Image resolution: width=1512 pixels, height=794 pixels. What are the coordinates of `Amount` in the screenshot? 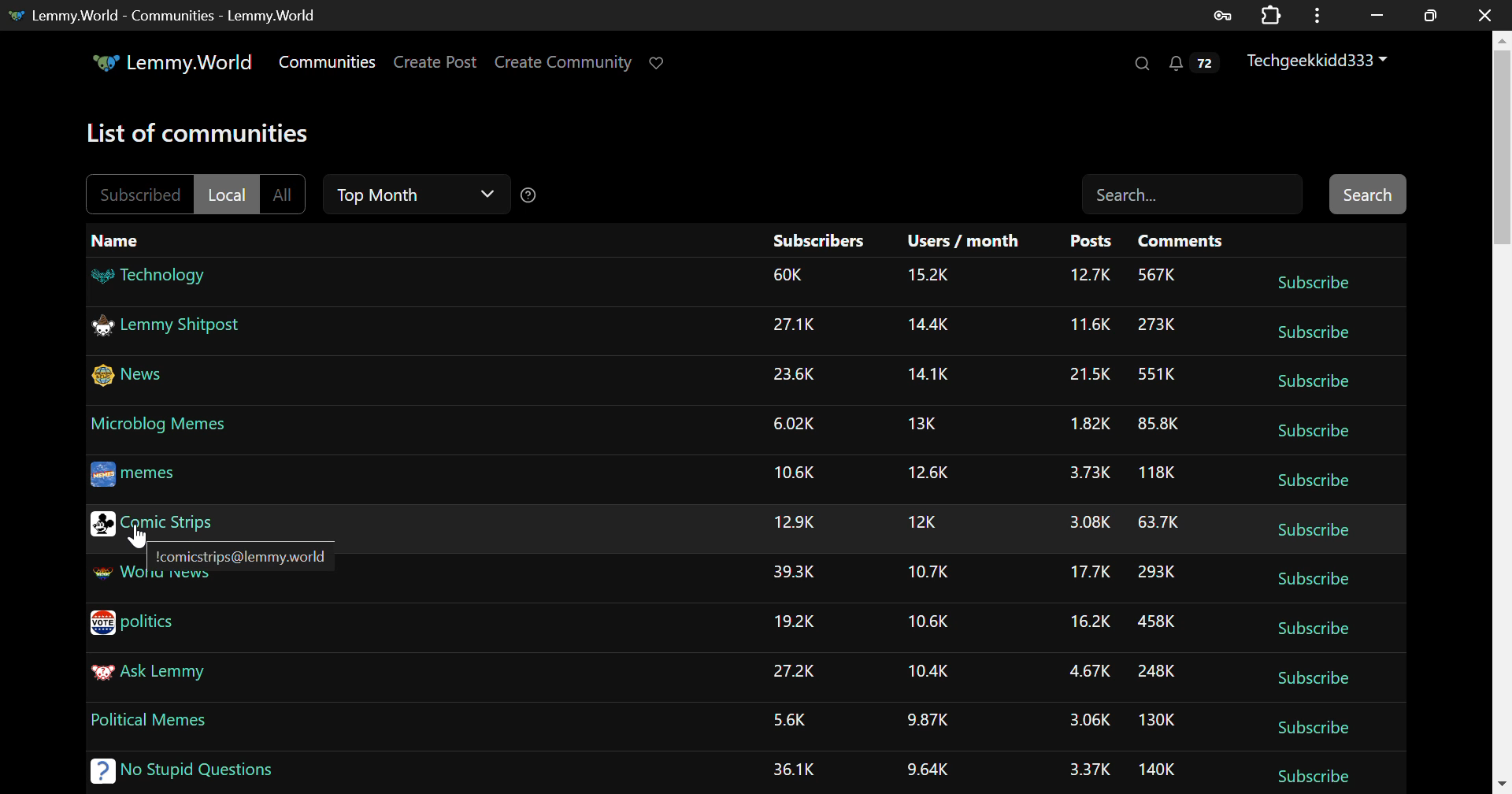 It's located at (1086, 326).